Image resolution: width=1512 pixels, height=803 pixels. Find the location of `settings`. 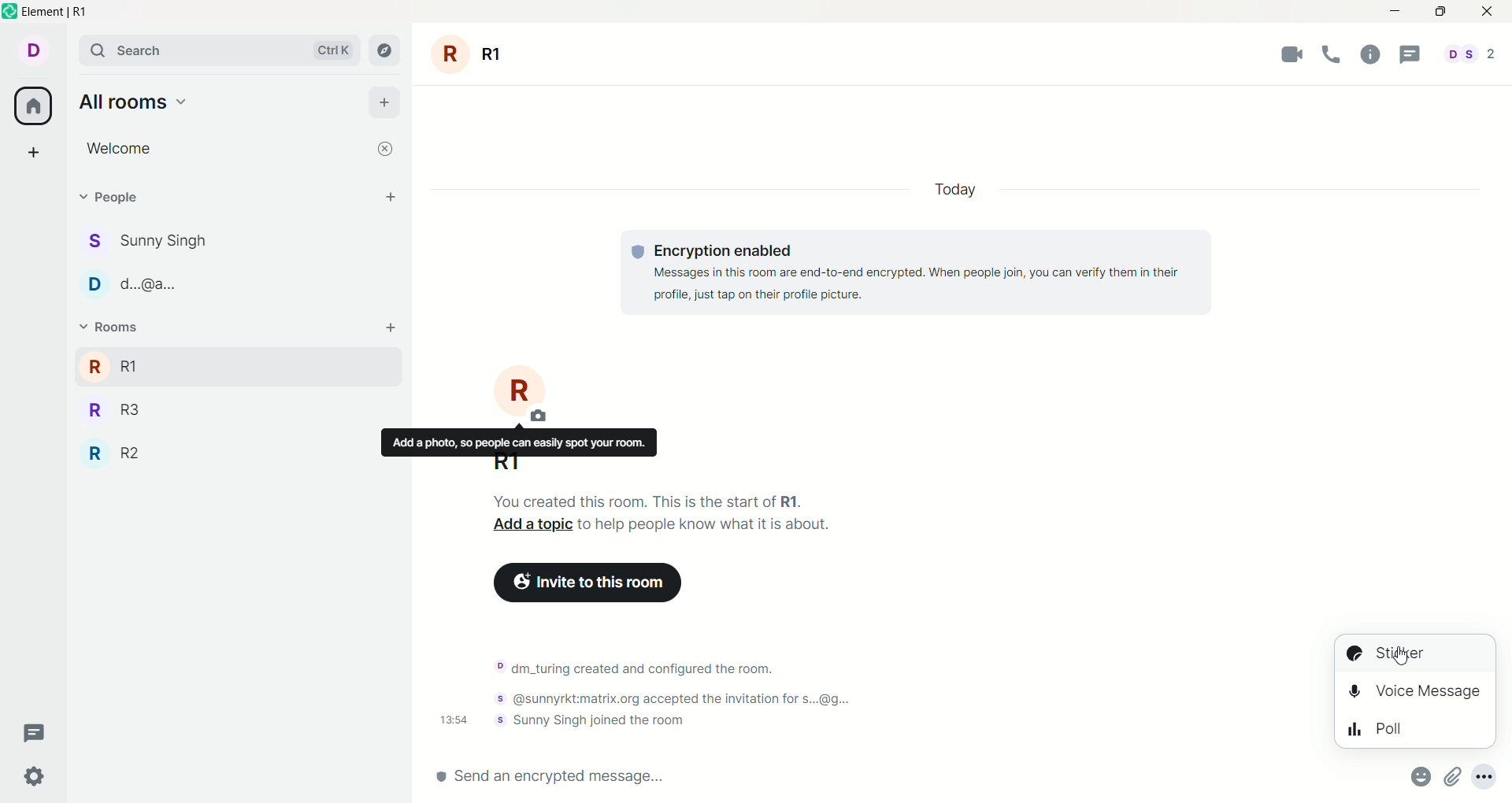

settings is located at coordinates (35, 778).